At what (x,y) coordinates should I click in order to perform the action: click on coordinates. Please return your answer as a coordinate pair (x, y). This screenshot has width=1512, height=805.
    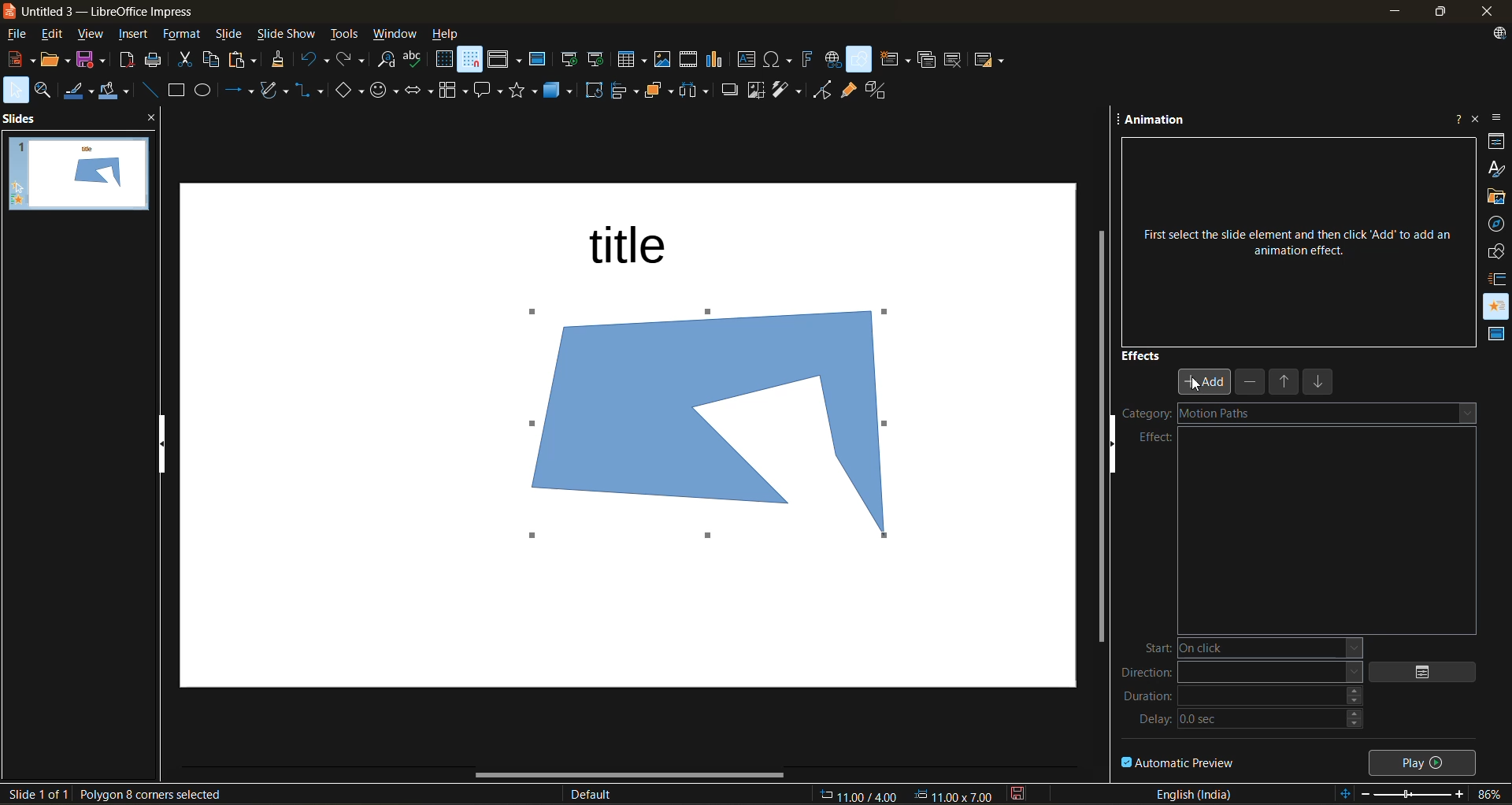
    Looking at the image, I should click on (906, 793).